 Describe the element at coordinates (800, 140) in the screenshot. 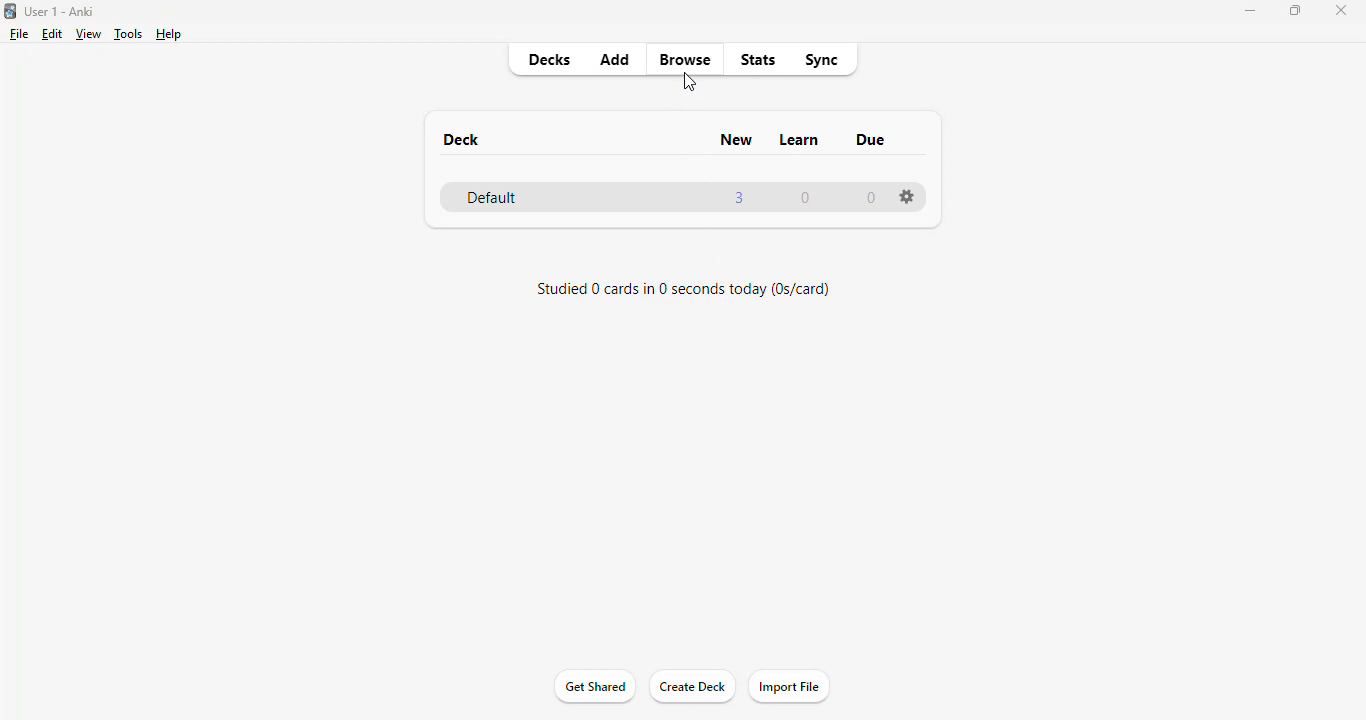

I see `learn` at that location.